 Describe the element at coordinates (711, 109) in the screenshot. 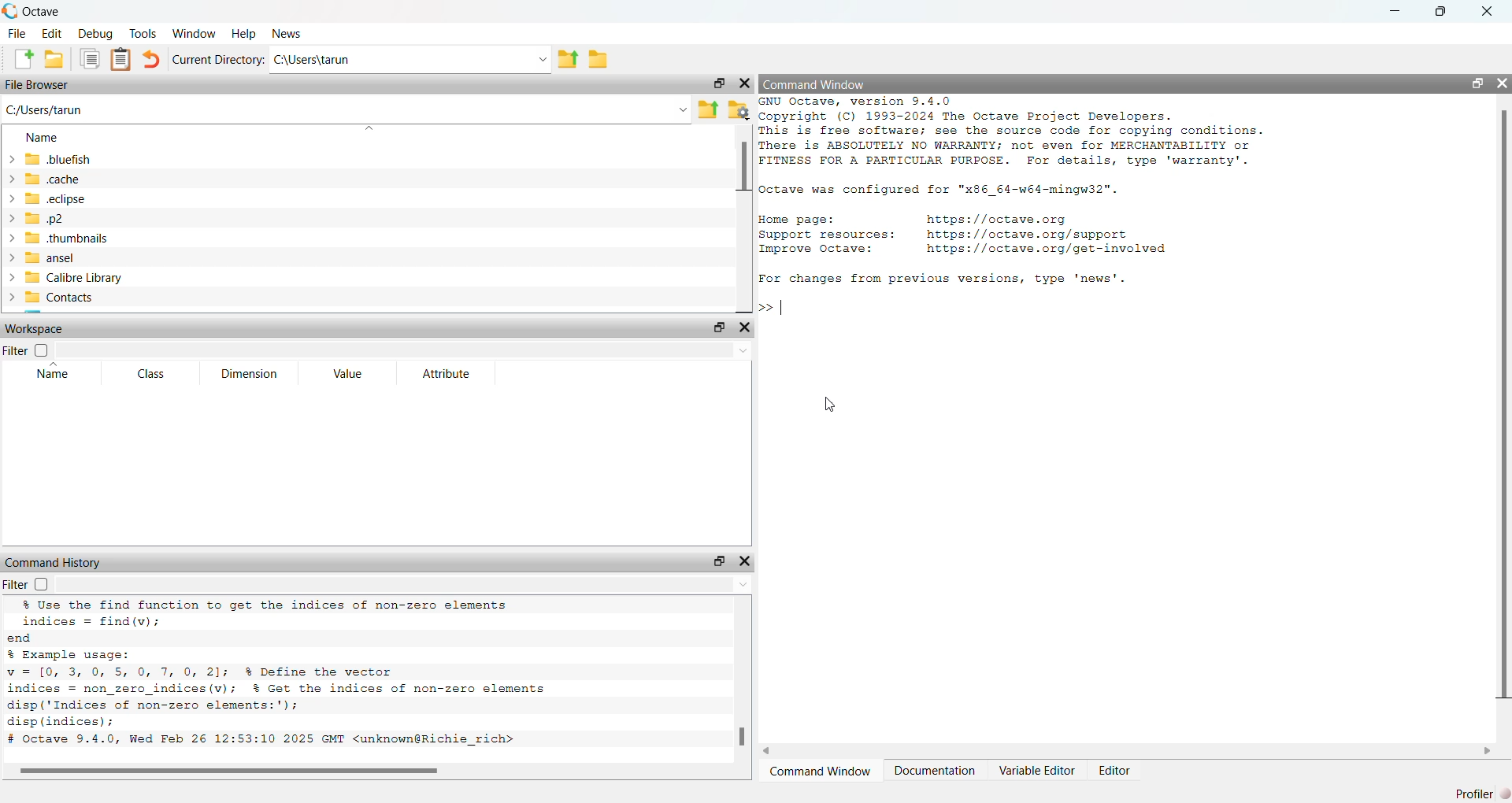

I see `parent directory` at that location.